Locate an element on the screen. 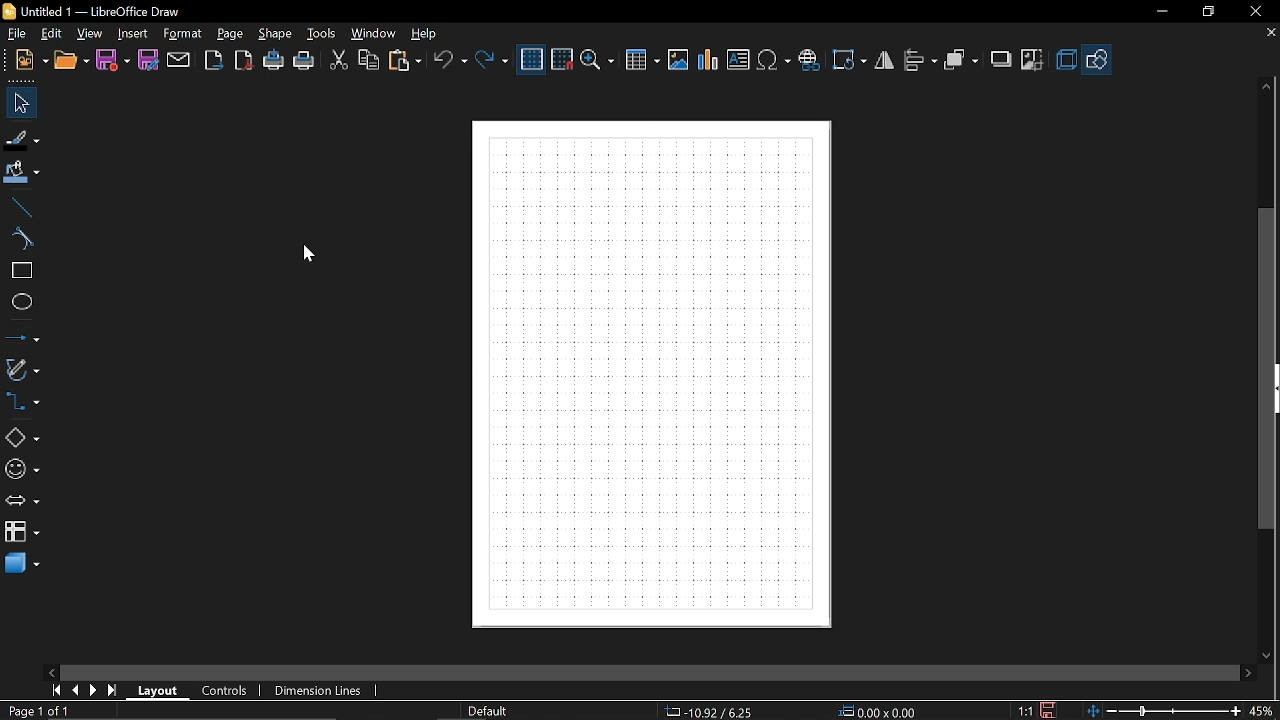 This screenshot has width=1280, height=720. Import as pdf is located at coordinates (246, 61).